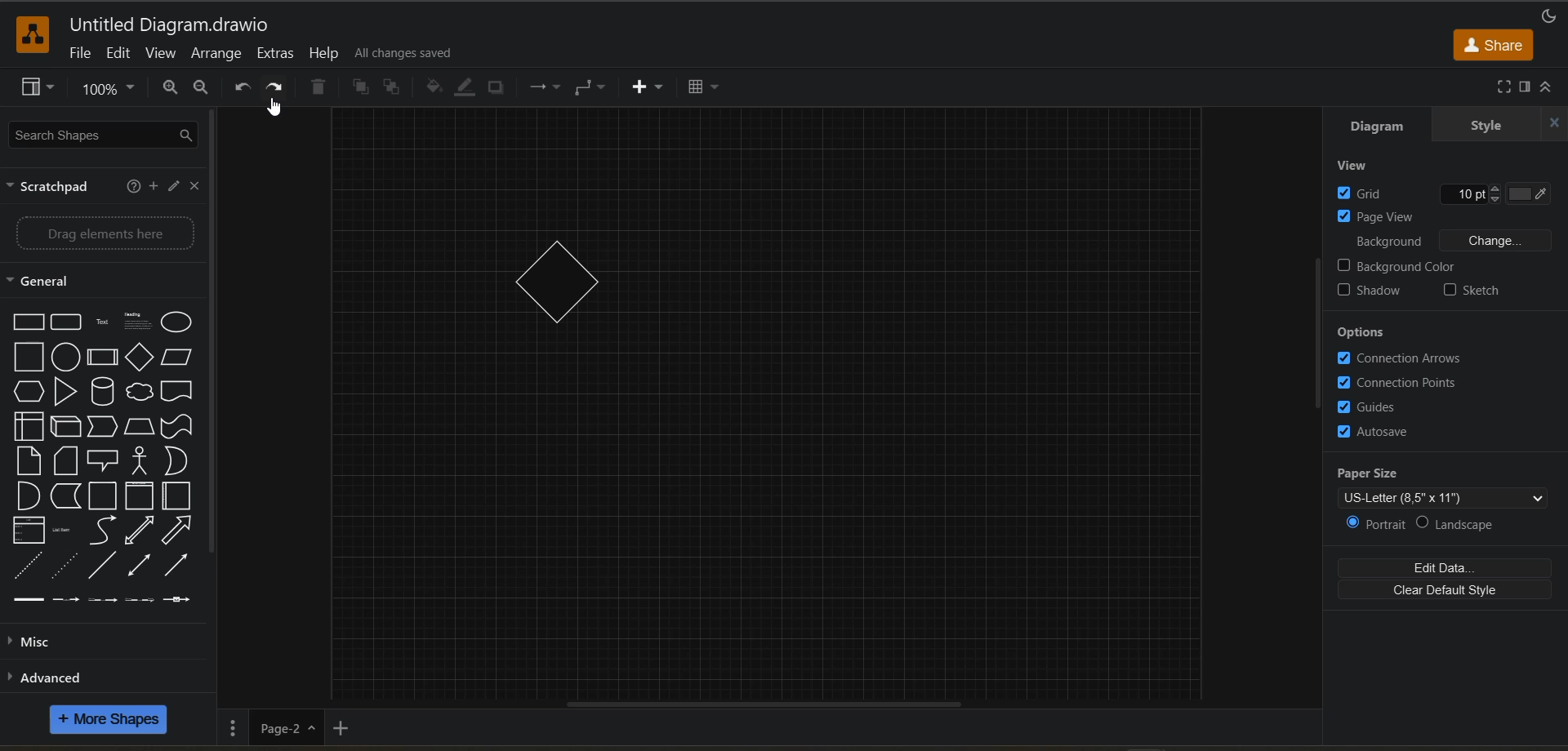 Image resolution: width=1568 pixels, height=751 pixels. What do you see at coordinates (274, 105) in the screenshot?
I see `cursor` at bounding box center [274, 105].